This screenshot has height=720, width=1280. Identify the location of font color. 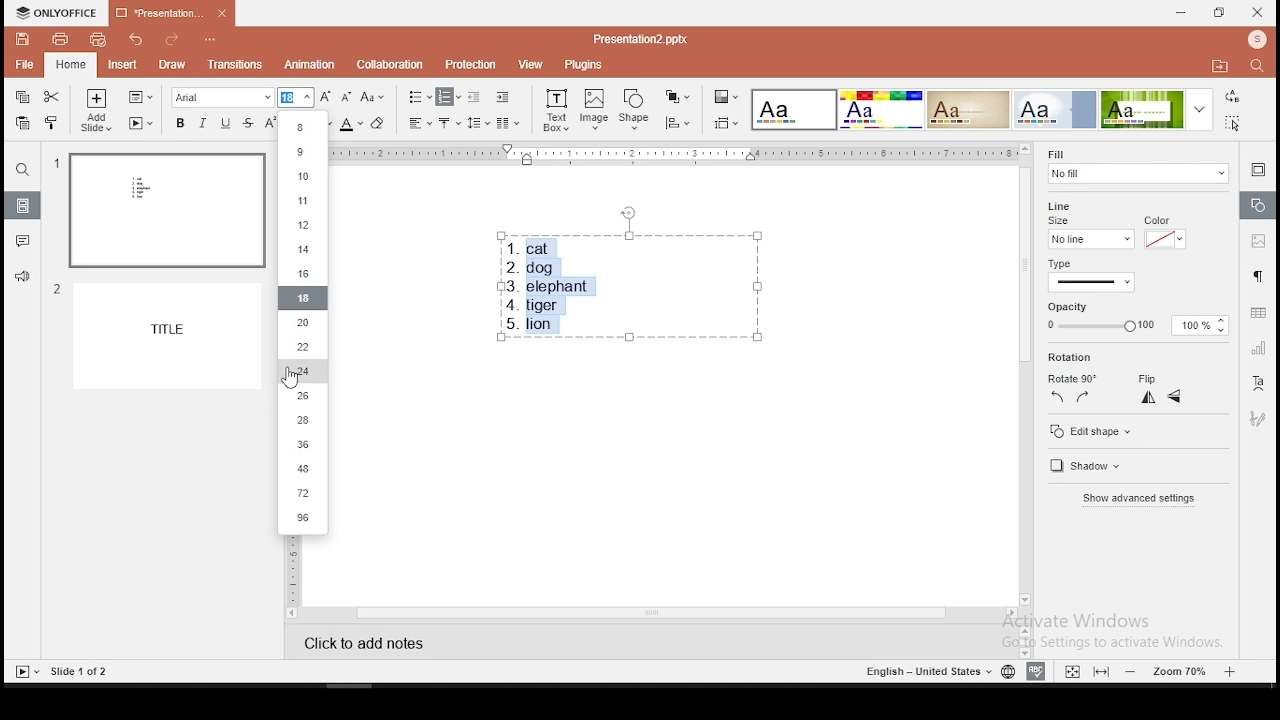
(350, 123).